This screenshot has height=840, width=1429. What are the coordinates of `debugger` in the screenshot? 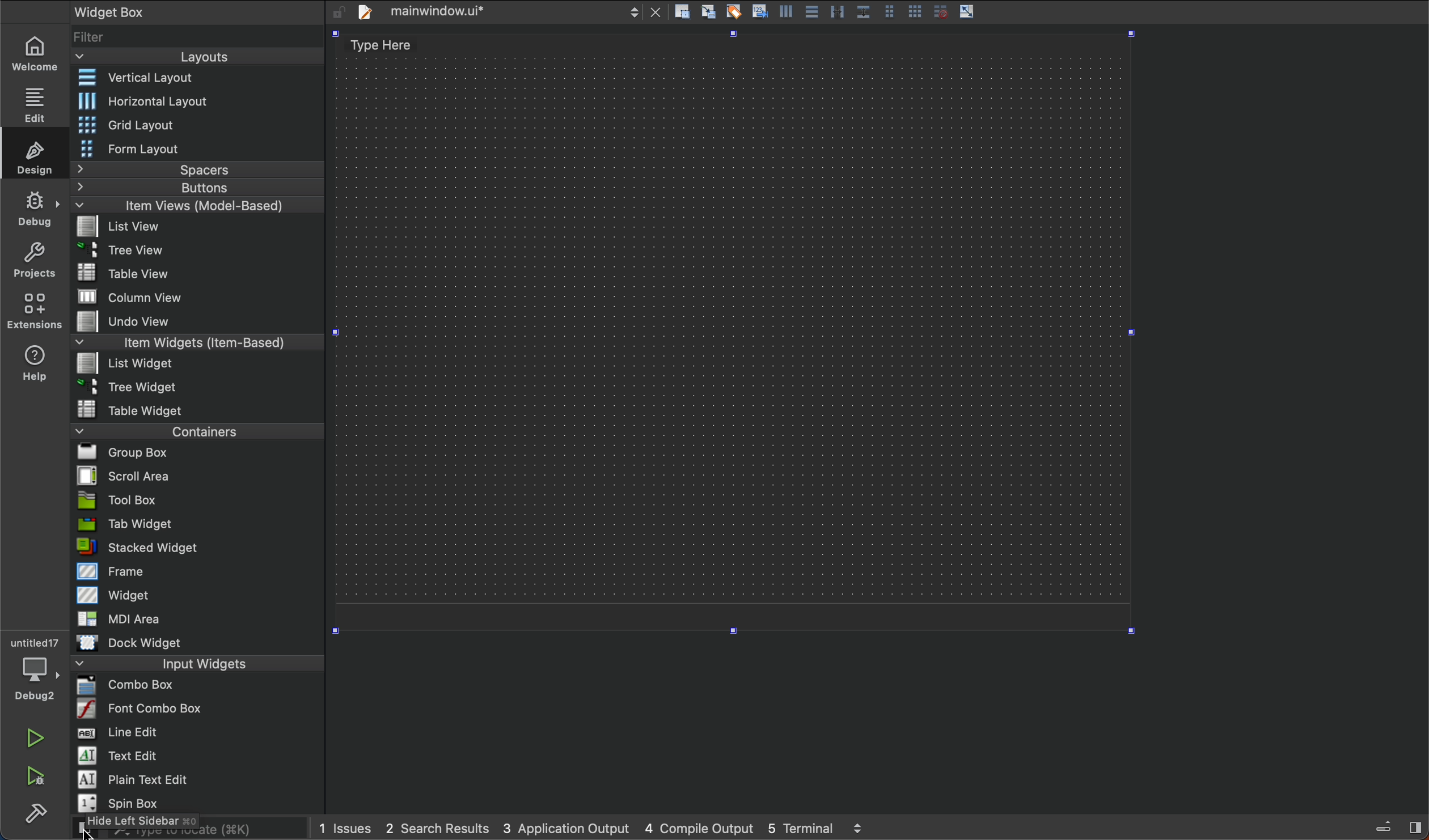 It's located at (34, 668).